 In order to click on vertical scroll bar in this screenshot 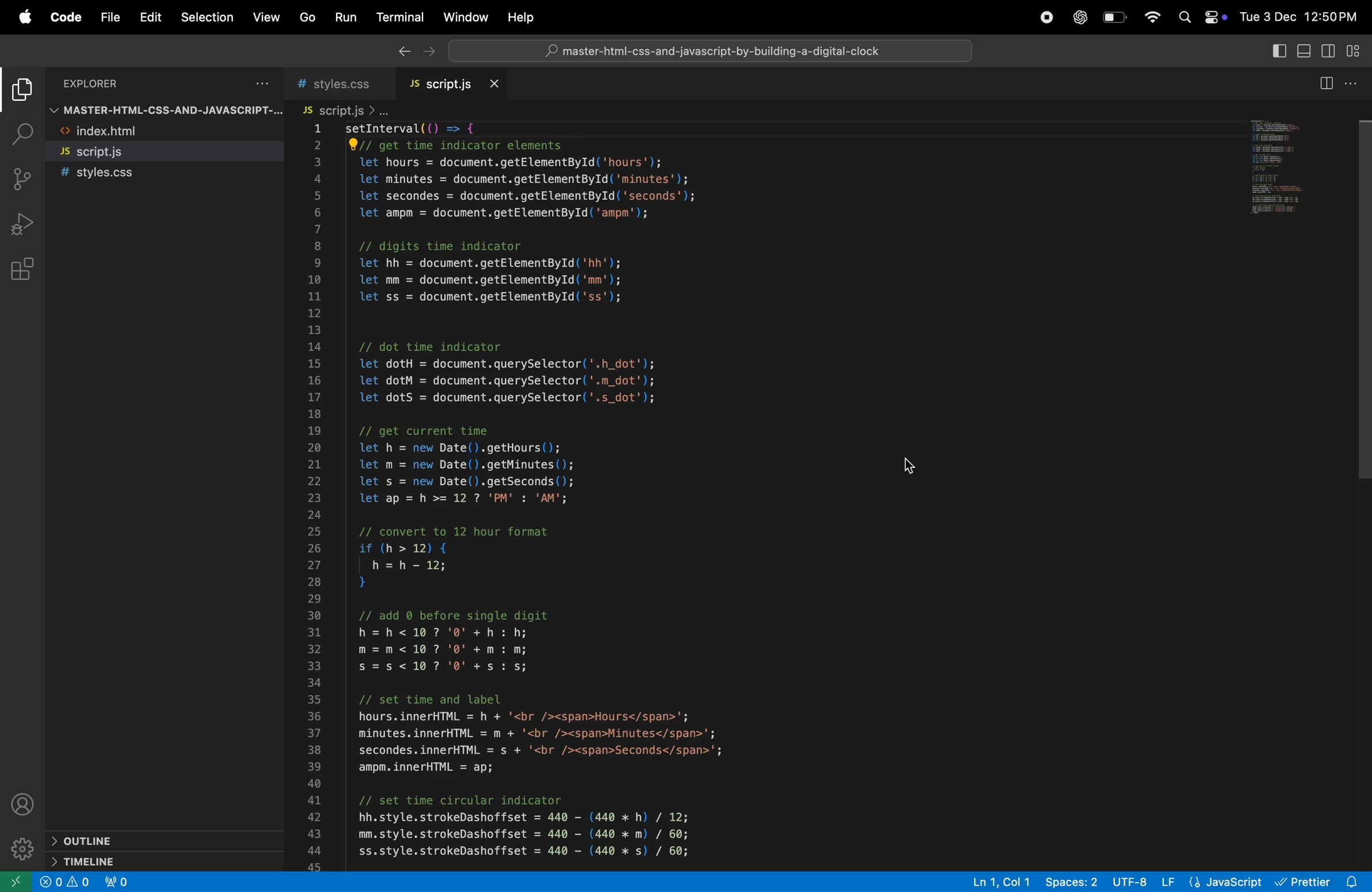, I will do `click(1362, 305)`.